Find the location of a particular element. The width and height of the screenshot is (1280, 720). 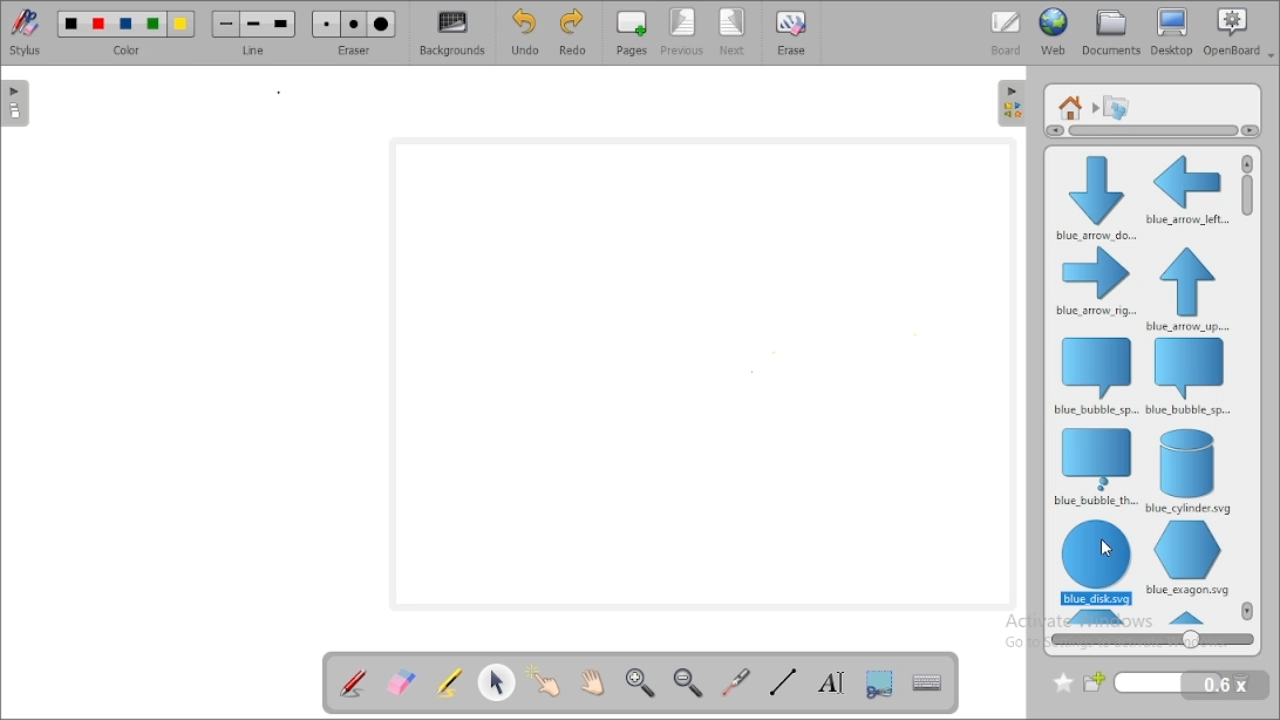

backgrounds is located at coordinates (451, 33).